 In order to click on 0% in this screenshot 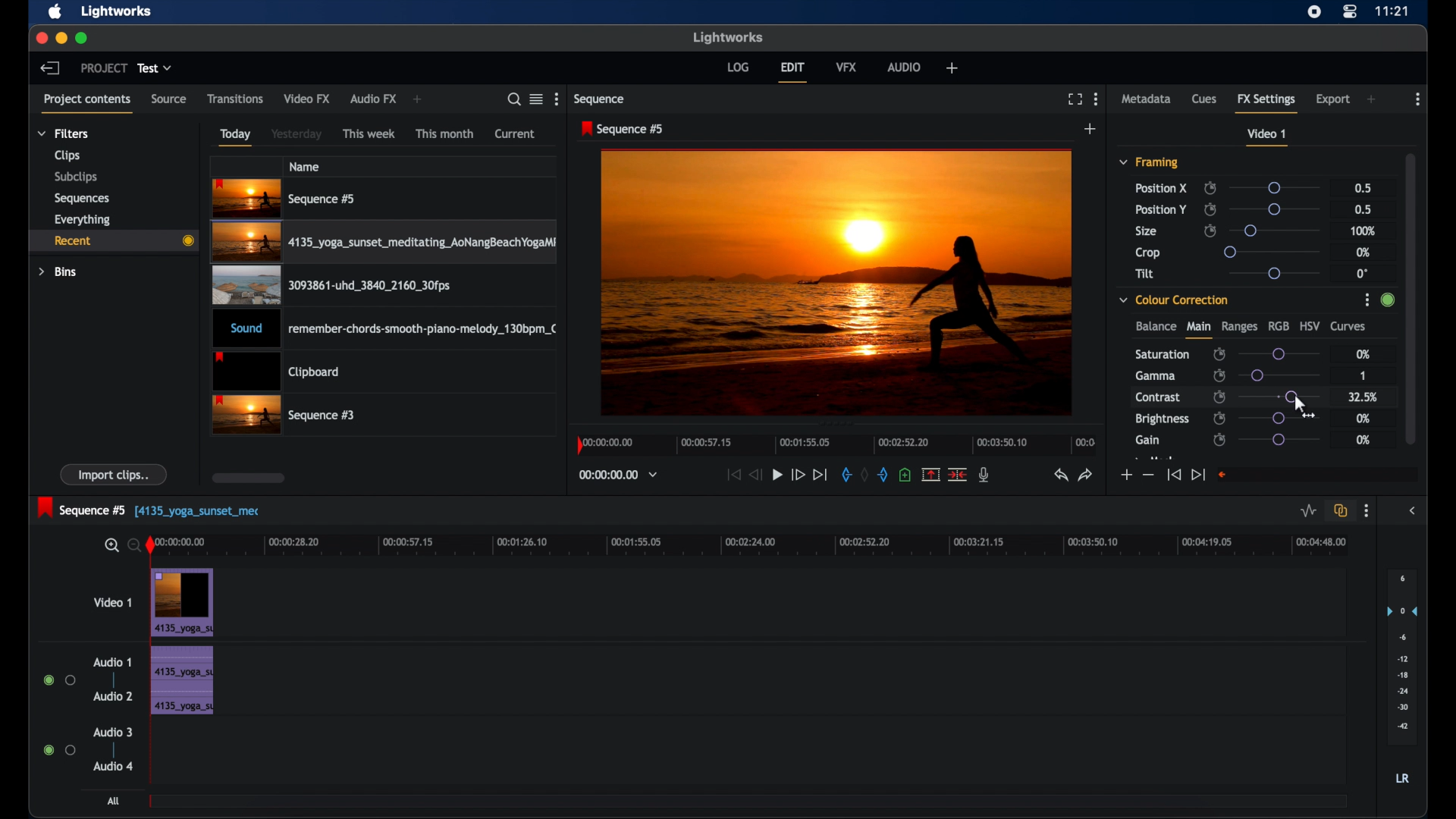, I will do `click(1361, 252)`.